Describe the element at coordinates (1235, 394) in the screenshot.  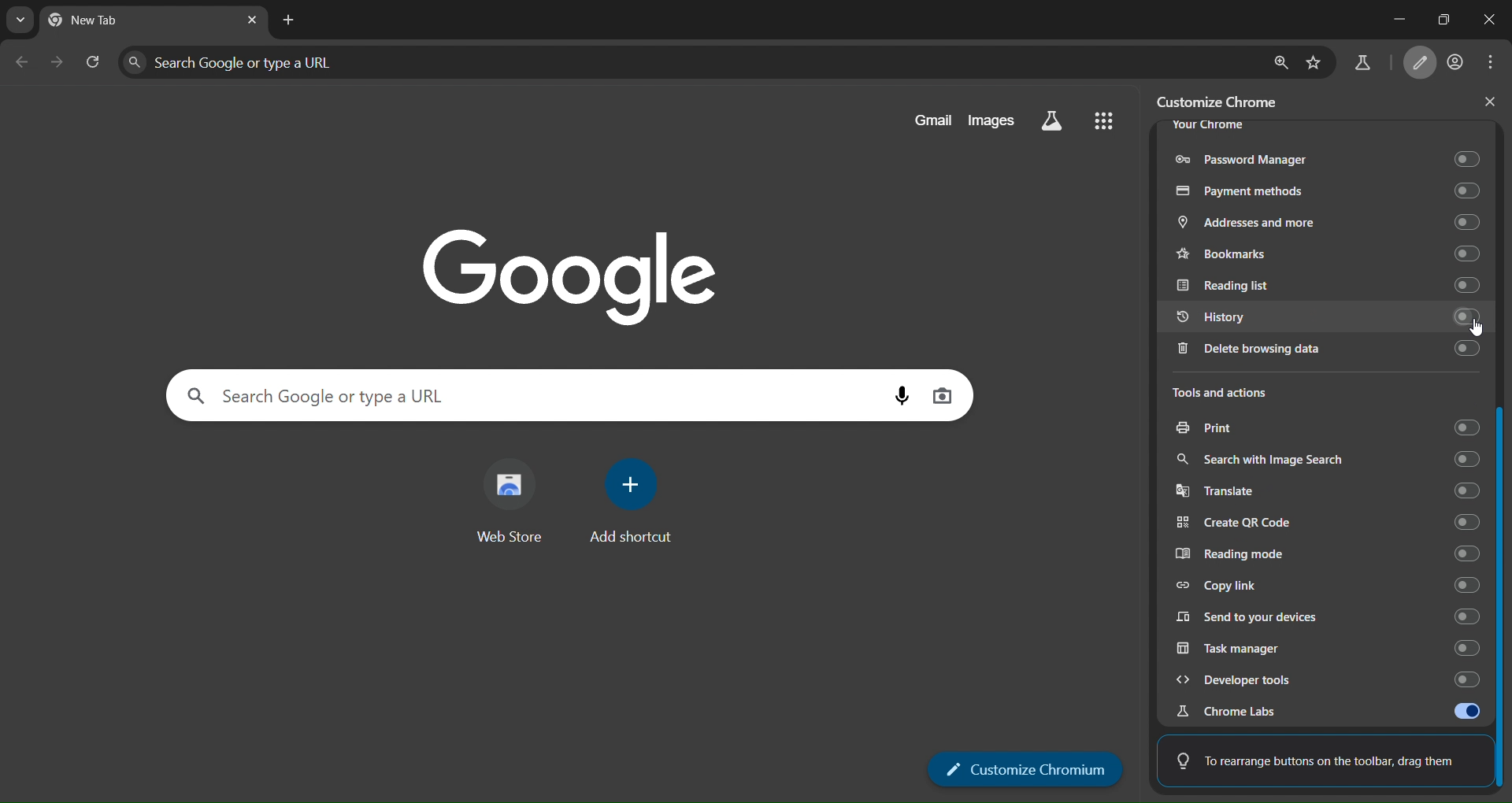
I see `tools and actions` at that location.